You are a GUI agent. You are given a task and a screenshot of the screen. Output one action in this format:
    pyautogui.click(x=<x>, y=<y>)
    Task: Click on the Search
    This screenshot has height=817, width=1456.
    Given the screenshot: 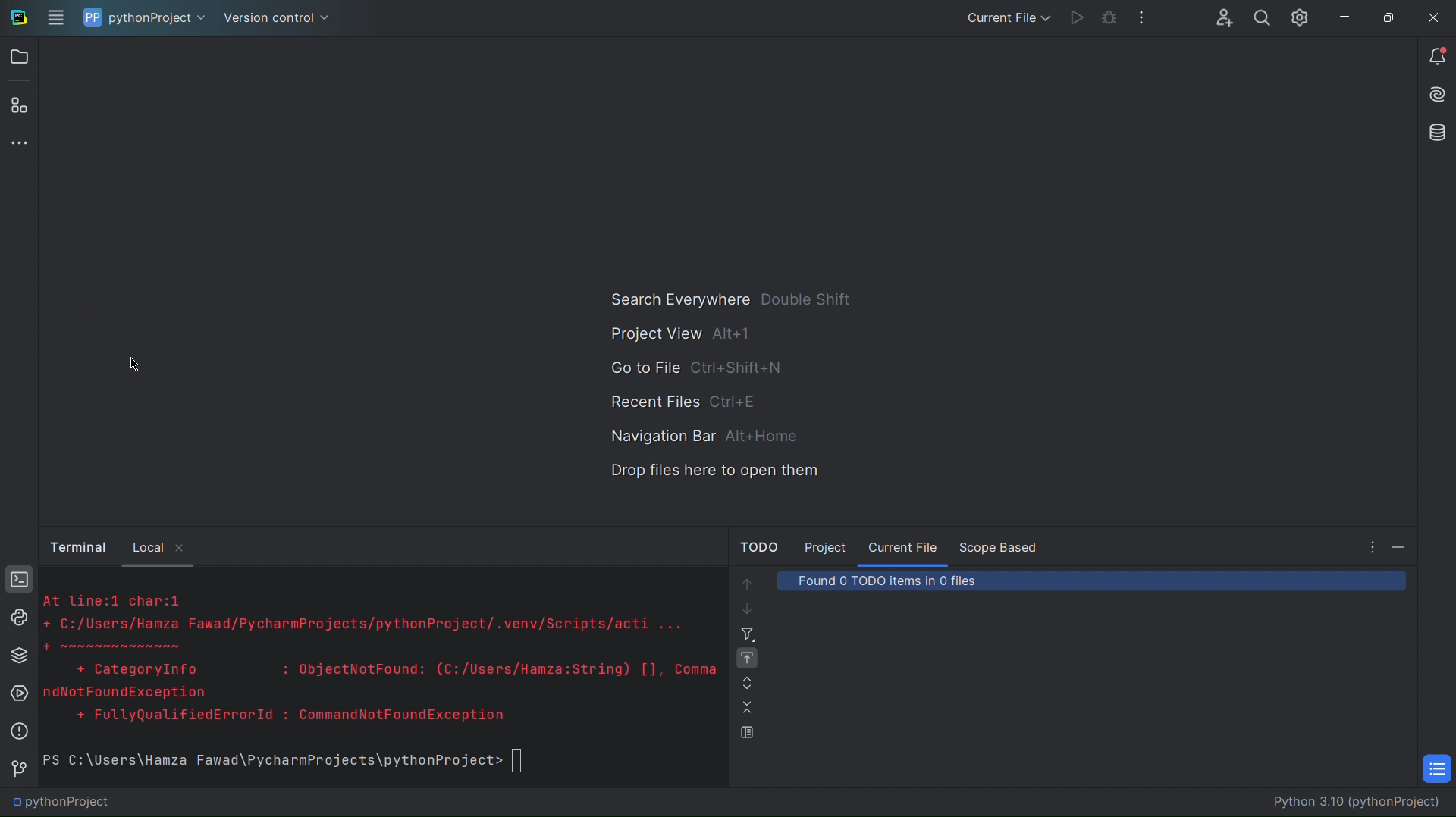 What is the action you would take?
    pyautogui.click(x=1263, y=17)
    